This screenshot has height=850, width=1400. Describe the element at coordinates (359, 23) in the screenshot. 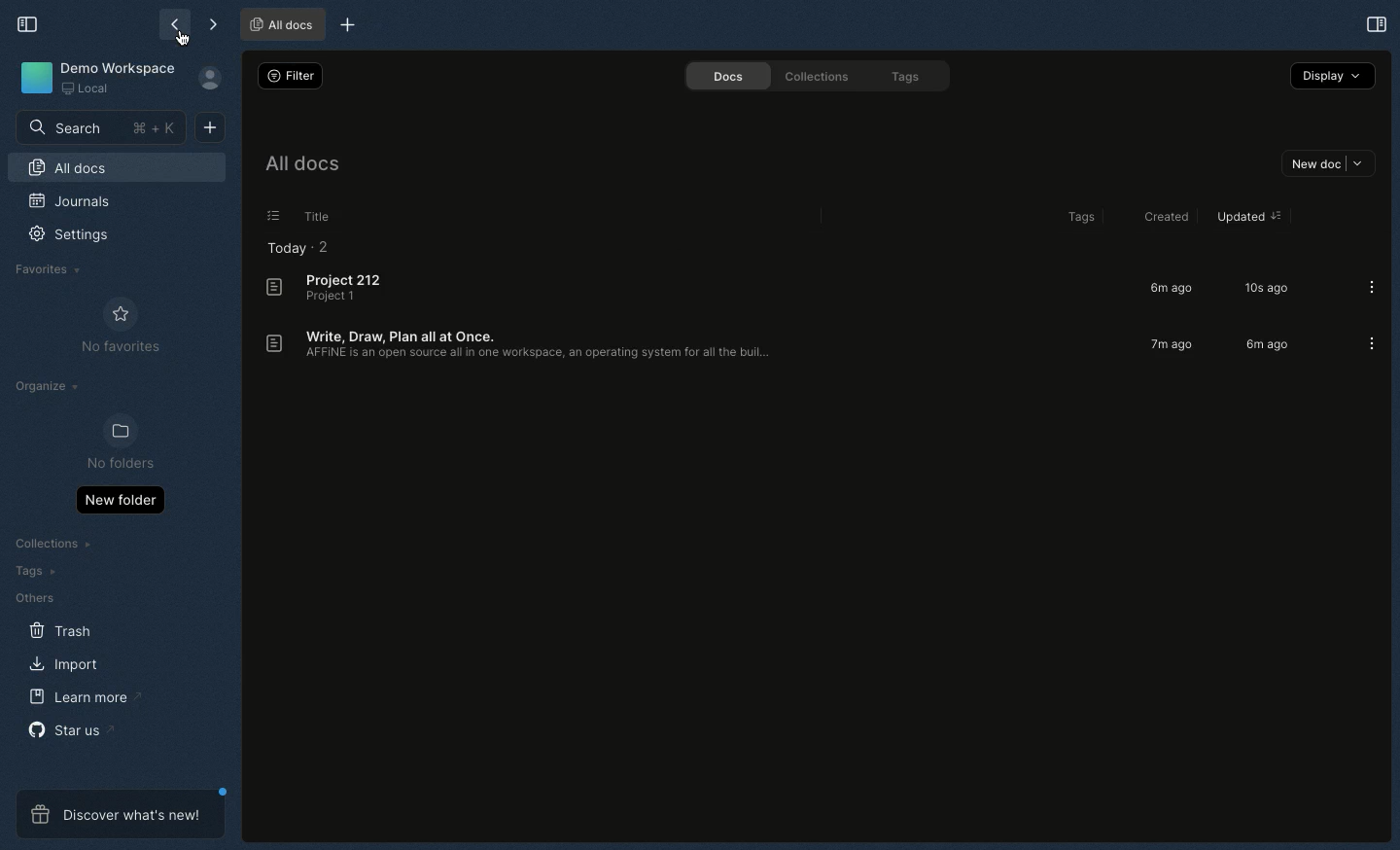

I see `new tab` at that location.